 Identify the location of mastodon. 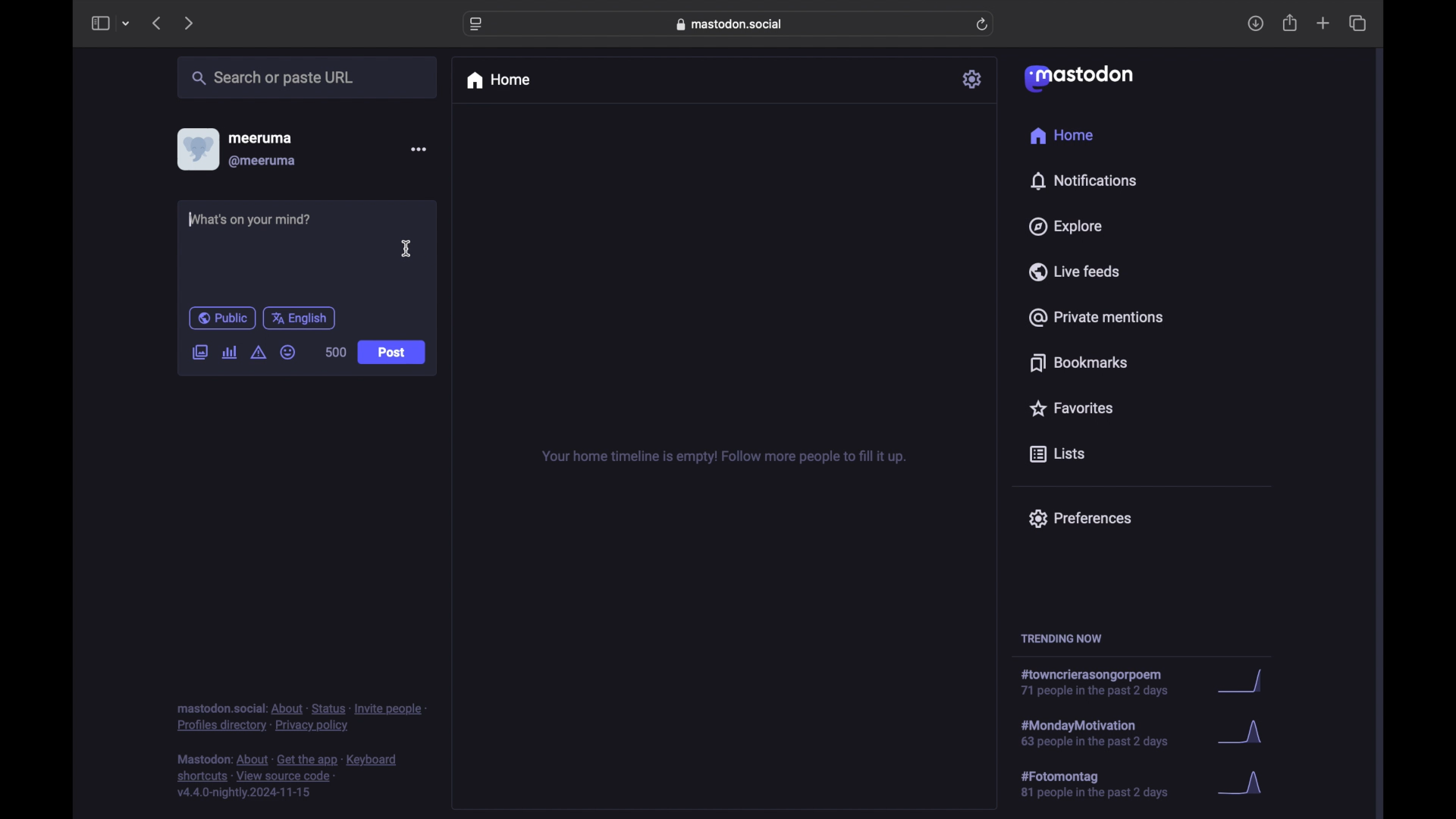
(1079, 79).